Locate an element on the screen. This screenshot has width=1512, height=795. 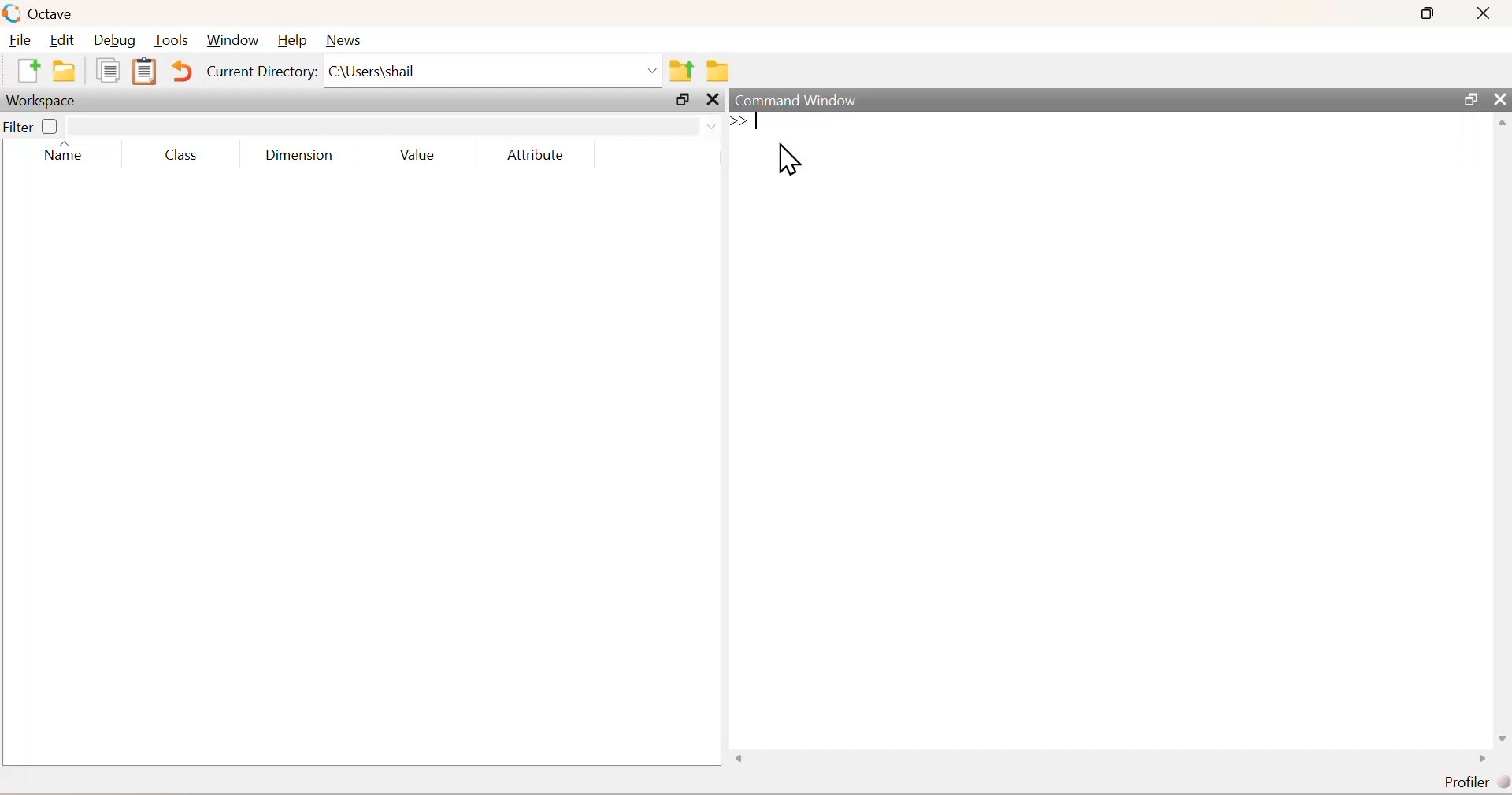
logo is located at coordinates (11, 13).